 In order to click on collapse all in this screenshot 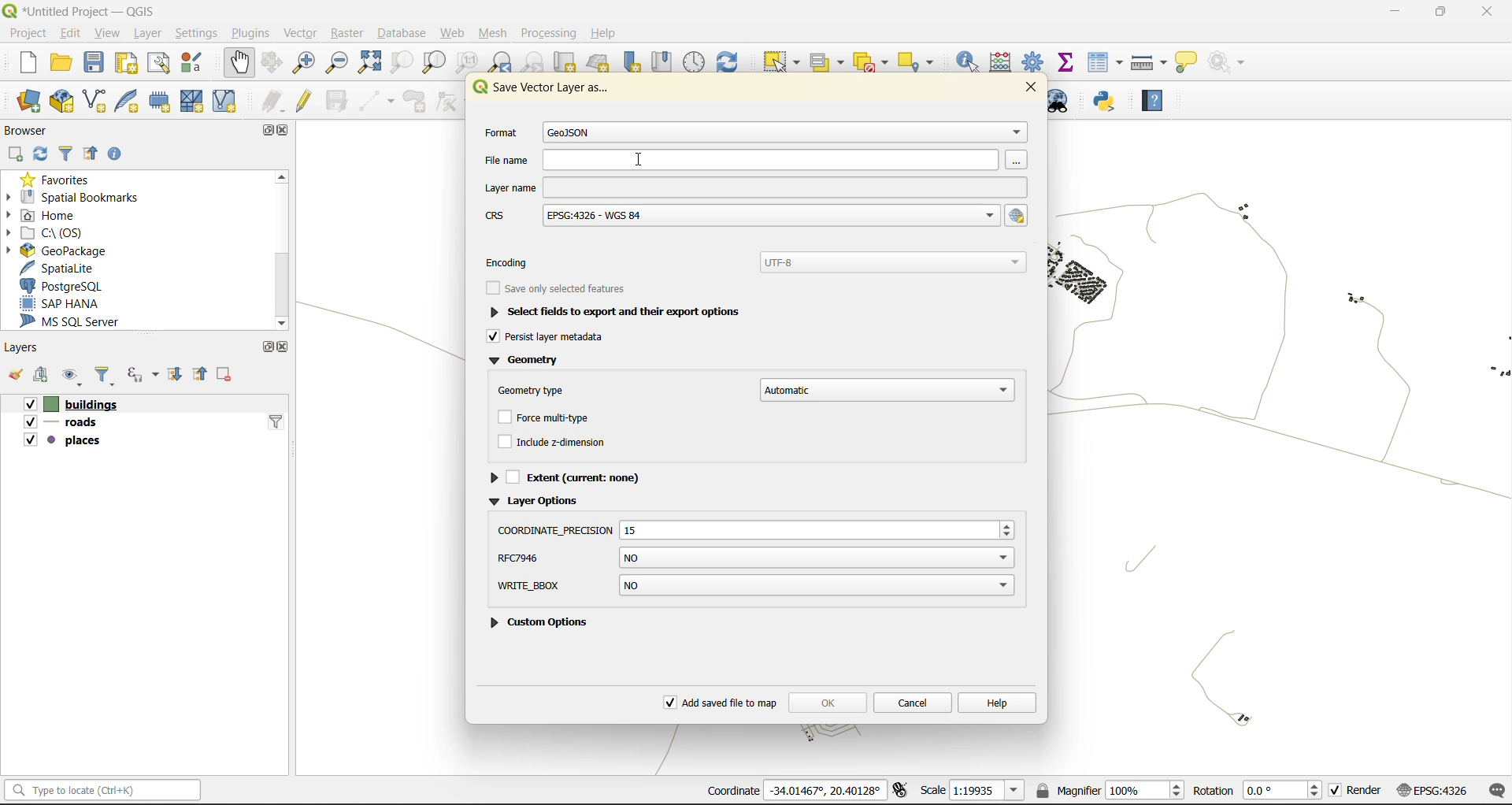, I will do `click(91, 152)`.